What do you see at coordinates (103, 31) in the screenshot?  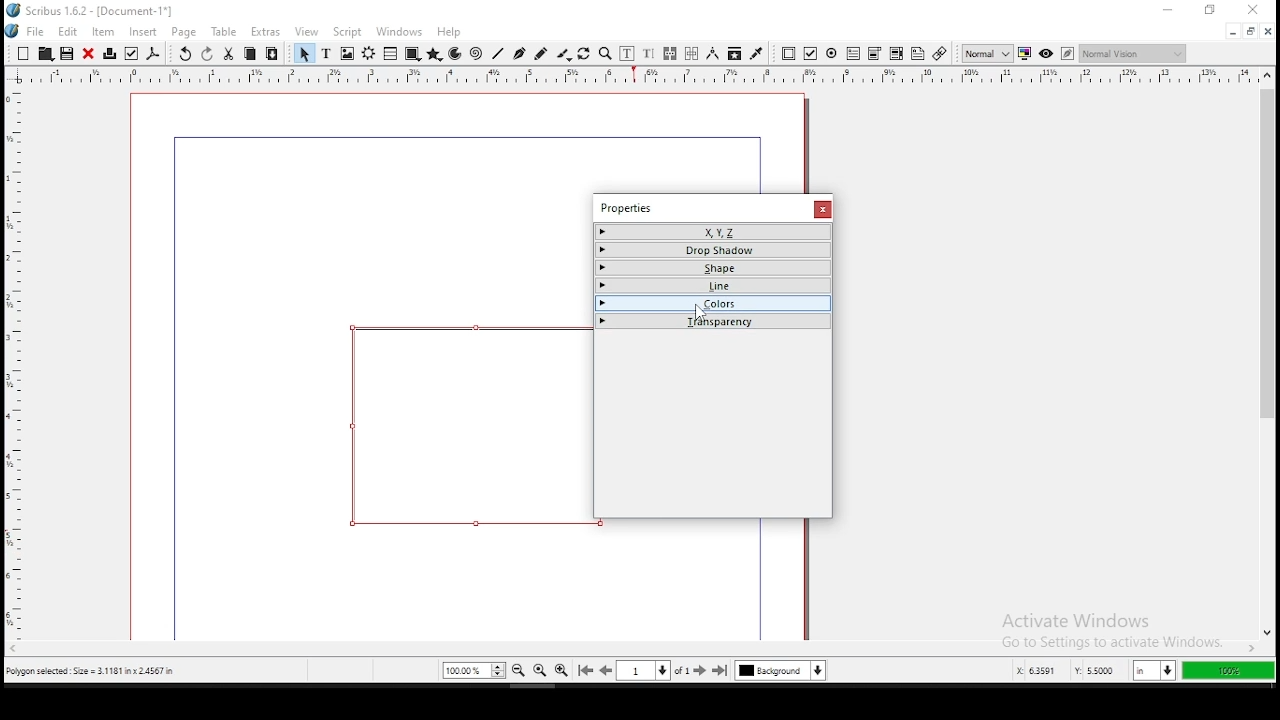 I see `item` at bounding box center [103, 31].